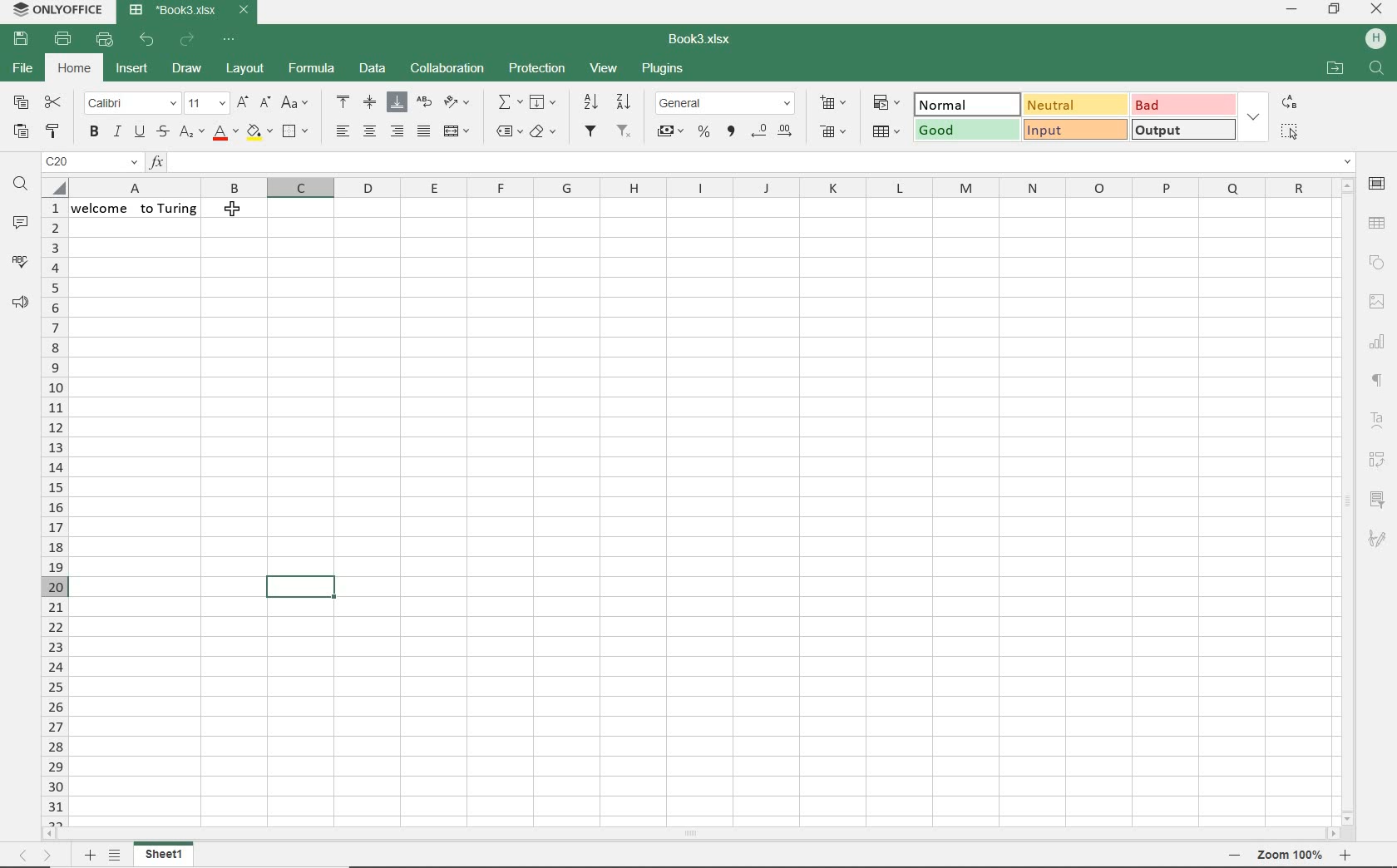  What do you see at coordinates (247, 70) in the screenshot?
I see `layout` at bounding box center [247, 70].